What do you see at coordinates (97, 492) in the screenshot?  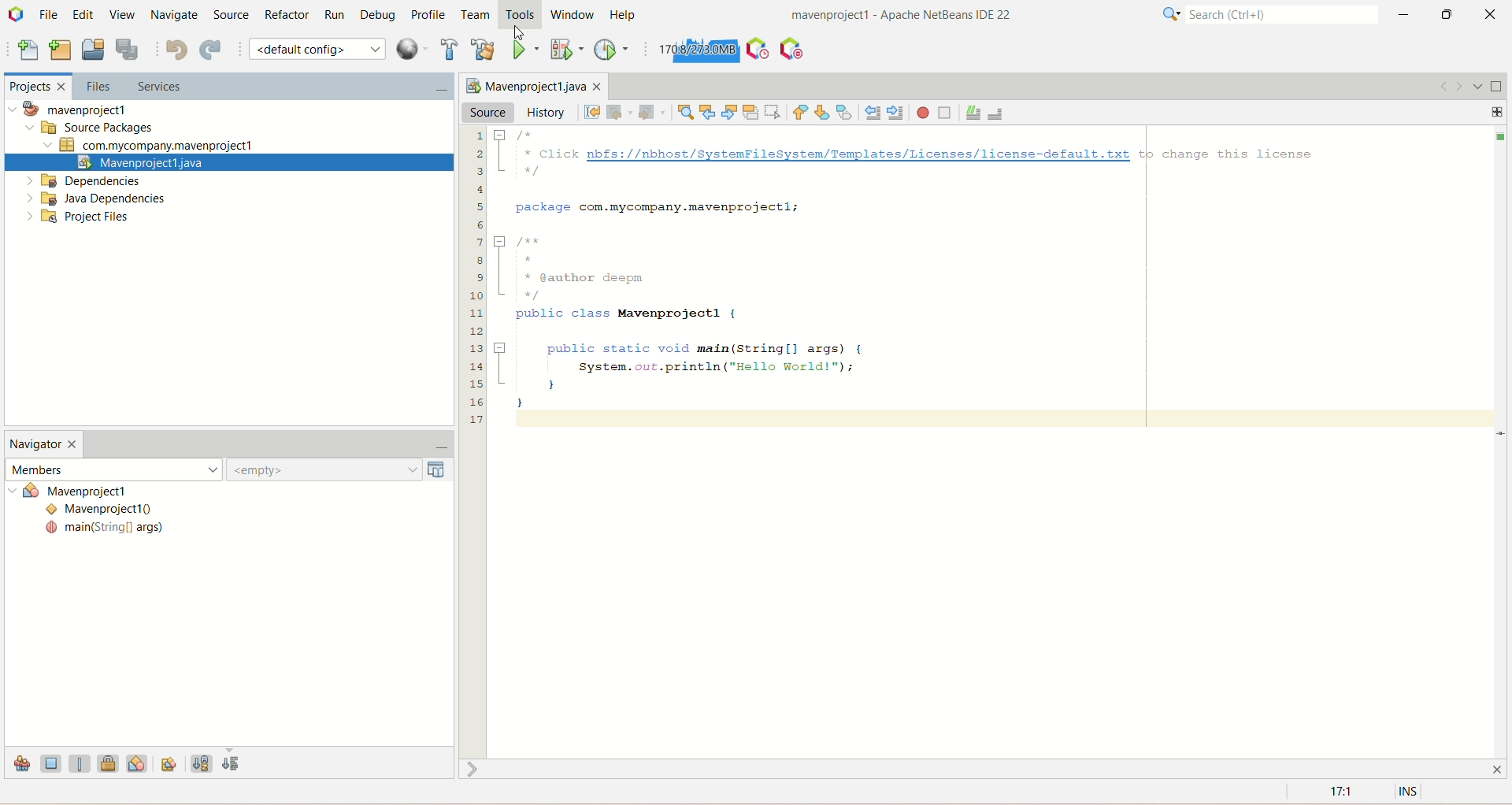 I see `mavenproject1` at bounding box center [97, 492].